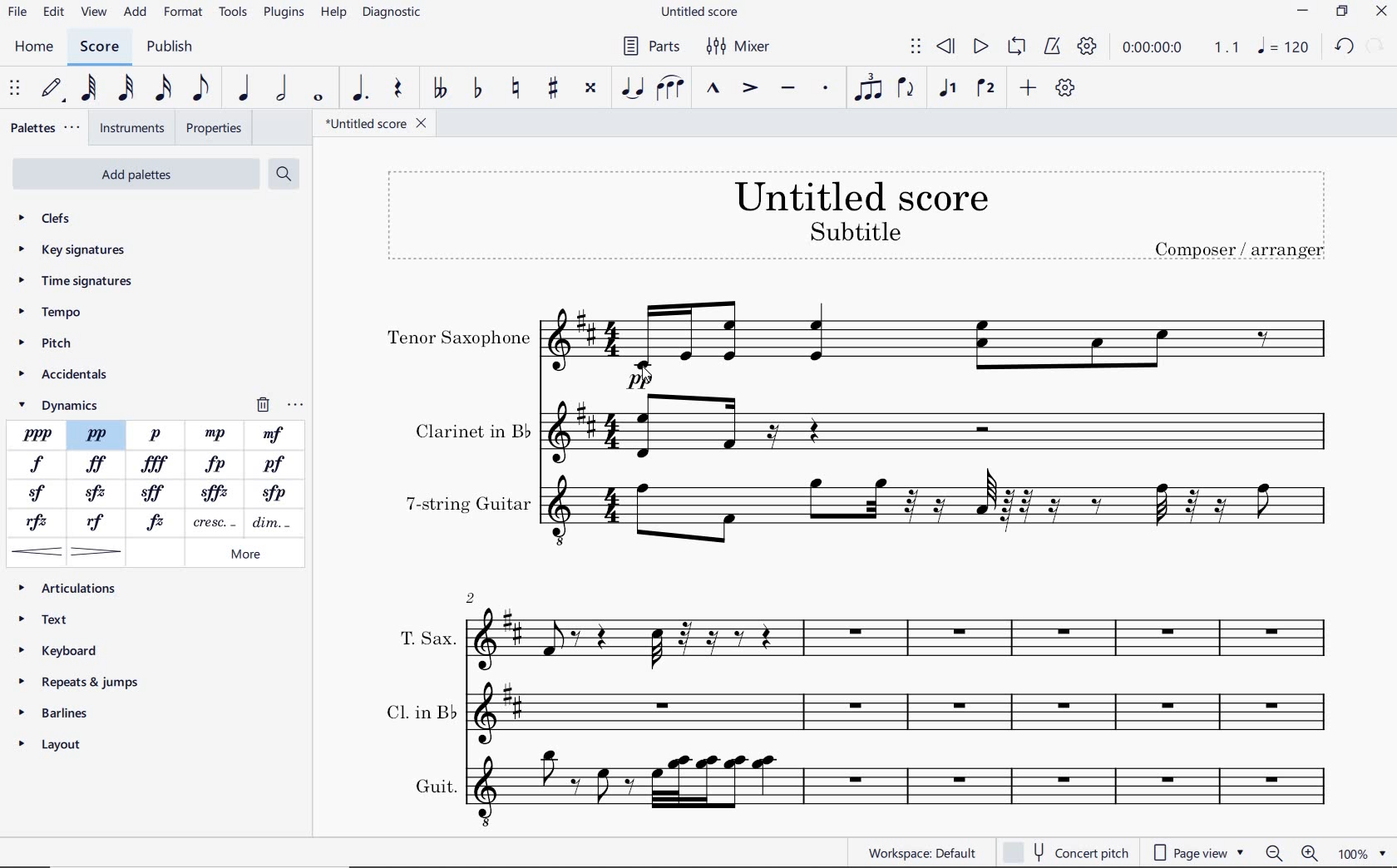  Describe the element at coordinates (941, 428) in the screenshot. I see `clarinet in b` at that location.